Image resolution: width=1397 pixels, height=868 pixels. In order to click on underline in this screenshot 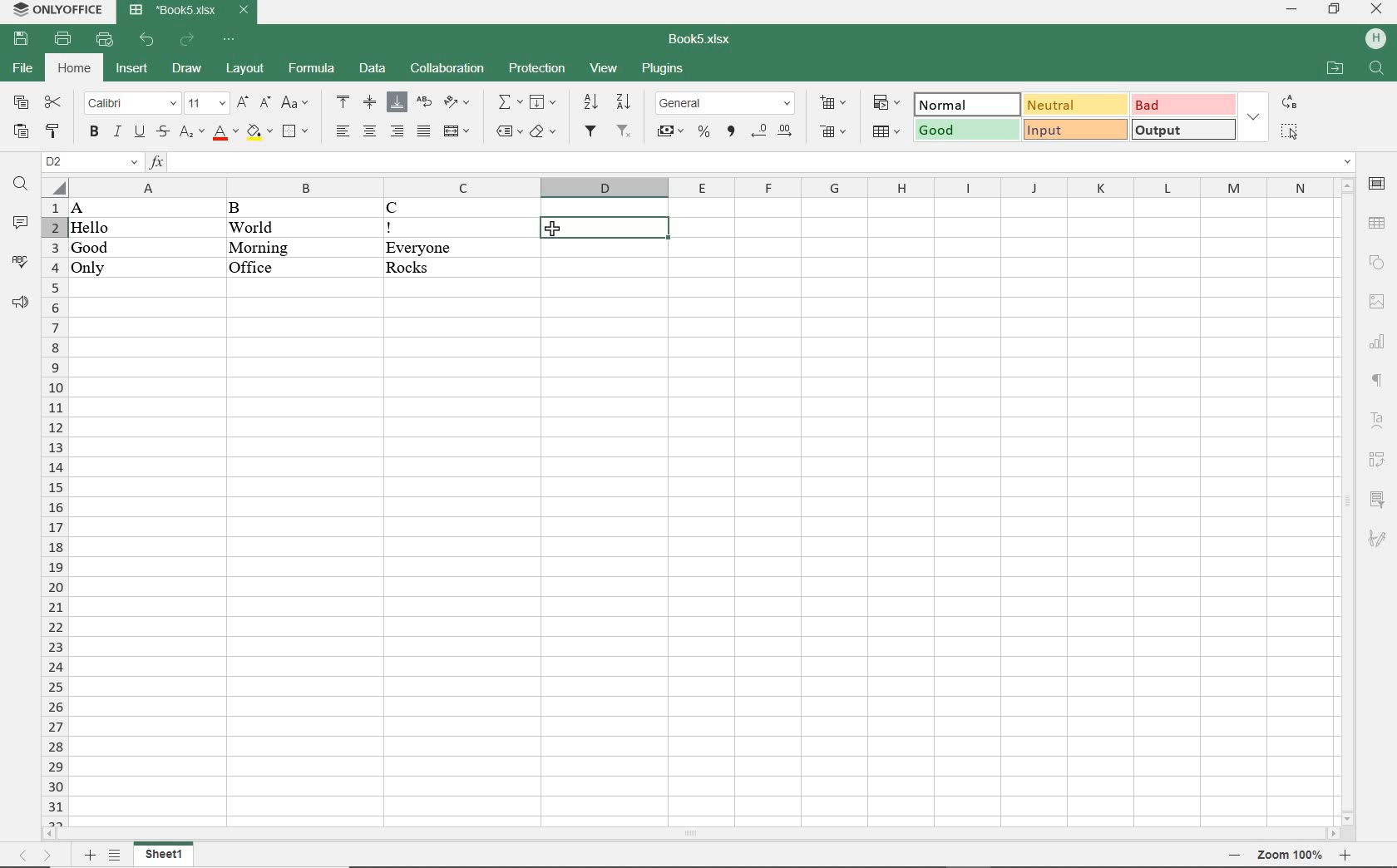, I will do `click(140, 134)`.